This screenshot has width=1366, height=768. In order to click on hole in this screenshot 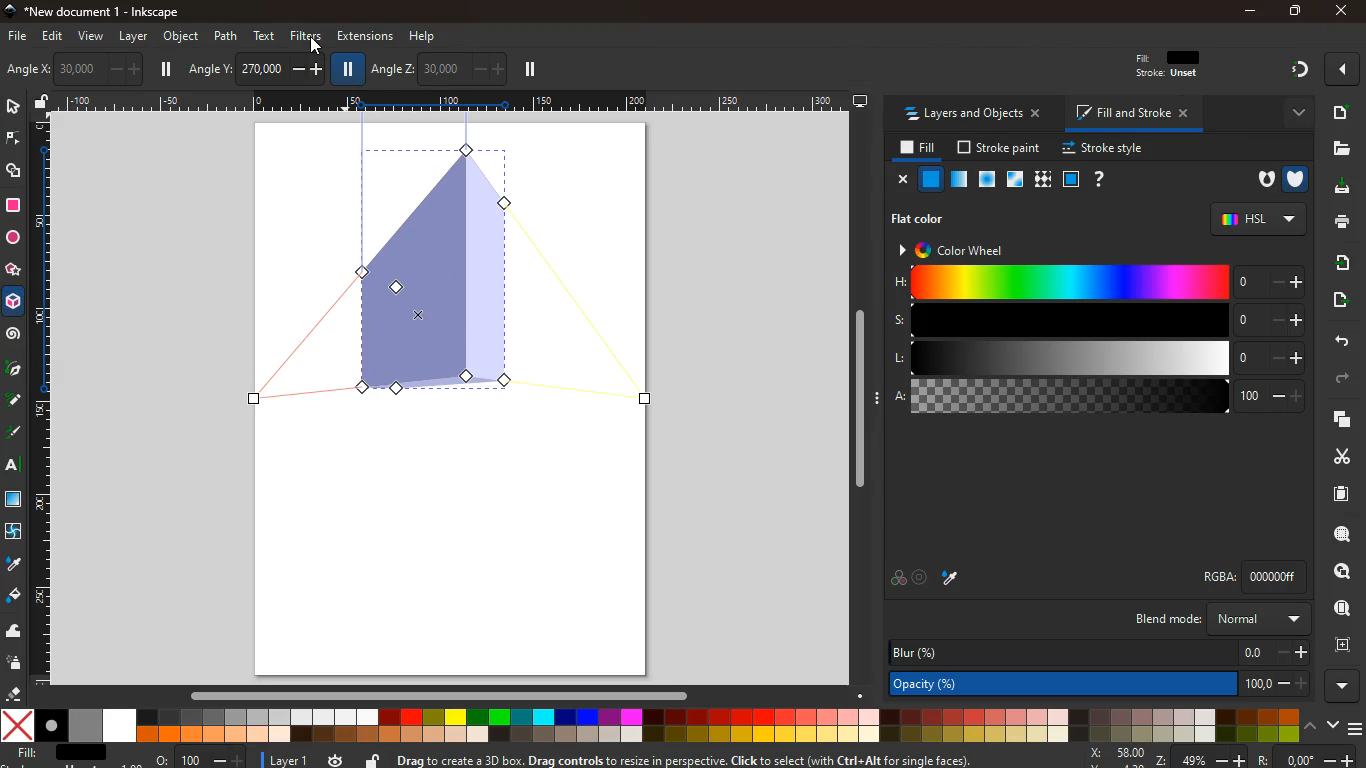, I will do `click(1259, 180)`.